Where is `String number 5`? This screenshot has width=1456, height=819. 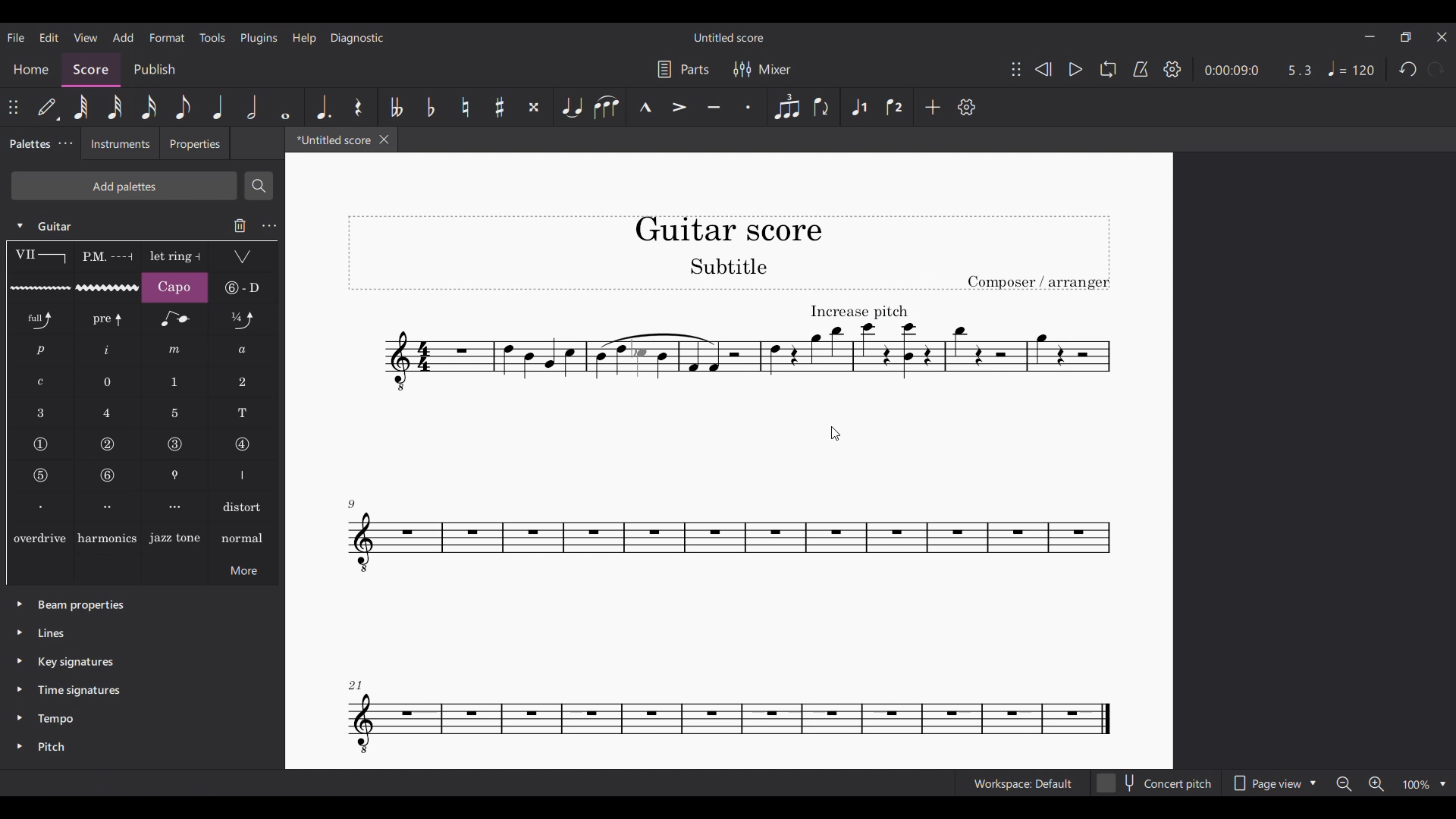 String number 5 is located at coordinates (41, 475).